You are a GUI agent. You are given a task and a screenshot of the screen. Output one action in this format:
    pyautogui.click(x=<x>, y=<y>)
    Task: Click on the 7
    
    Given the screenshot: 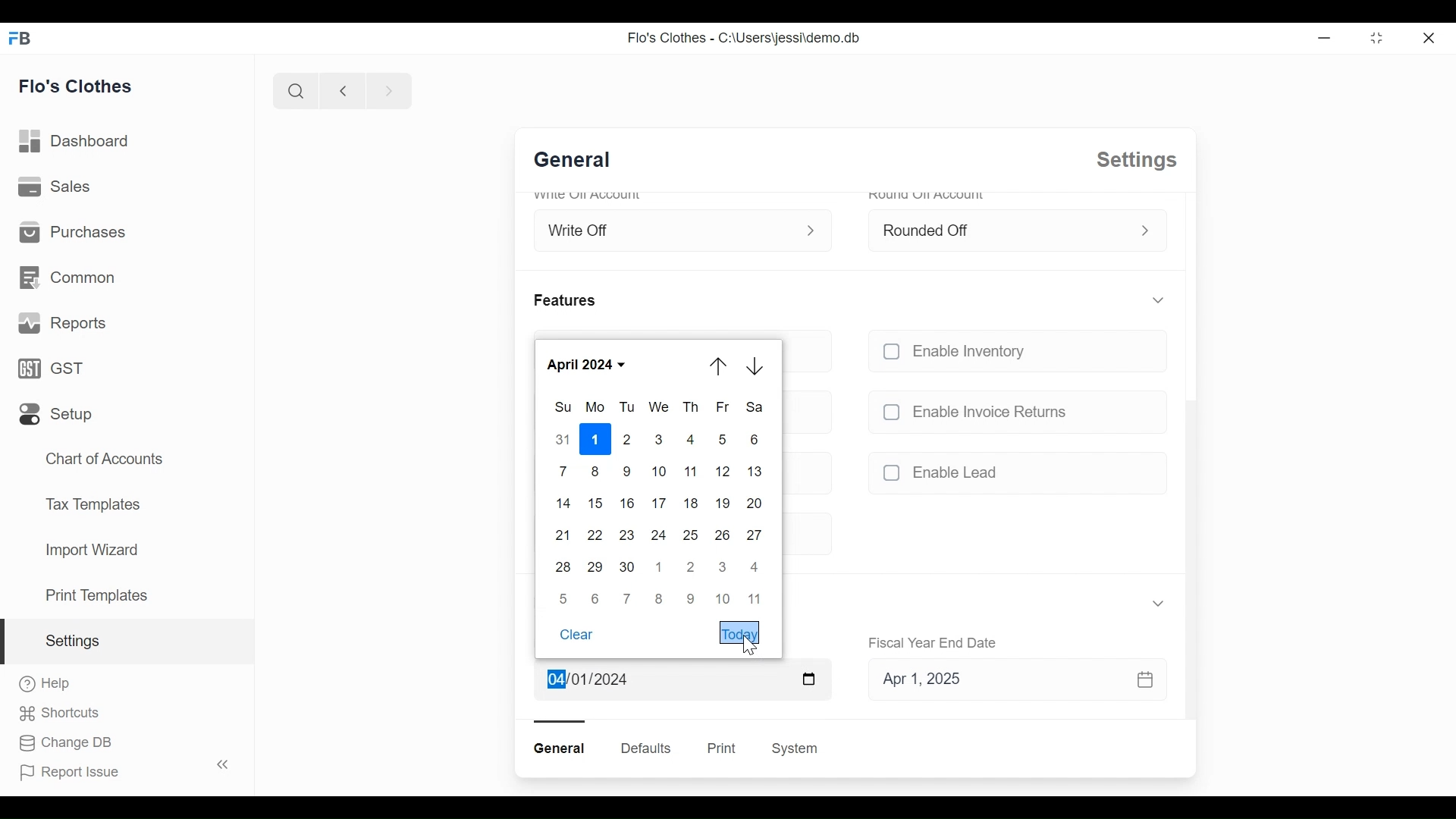 What is the action you would take?
    pyautogui.click(x=564, y=469)
    